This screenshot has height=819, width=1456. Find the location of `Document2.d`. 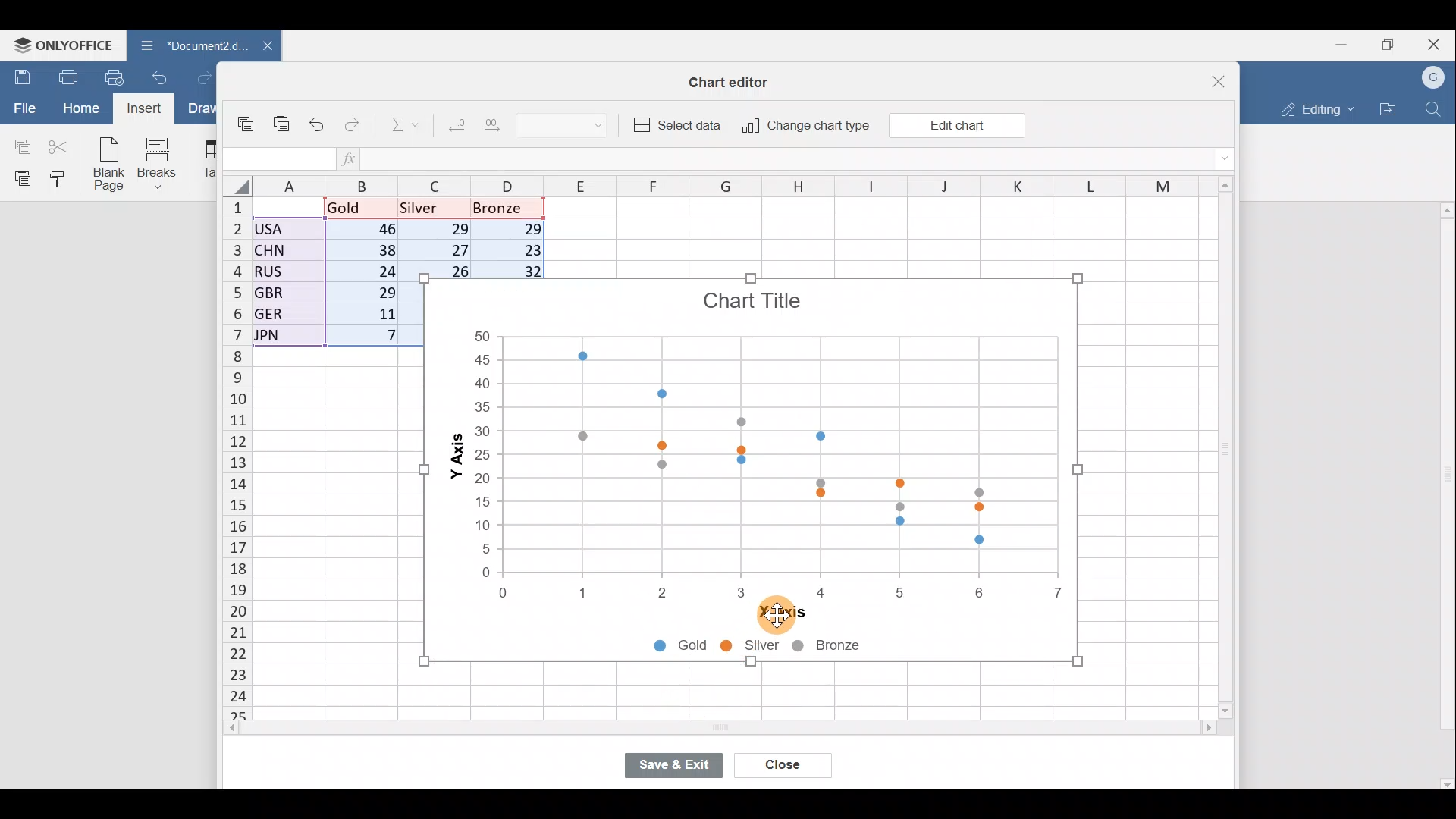

Document2.d is located at coordinates (185, 45).